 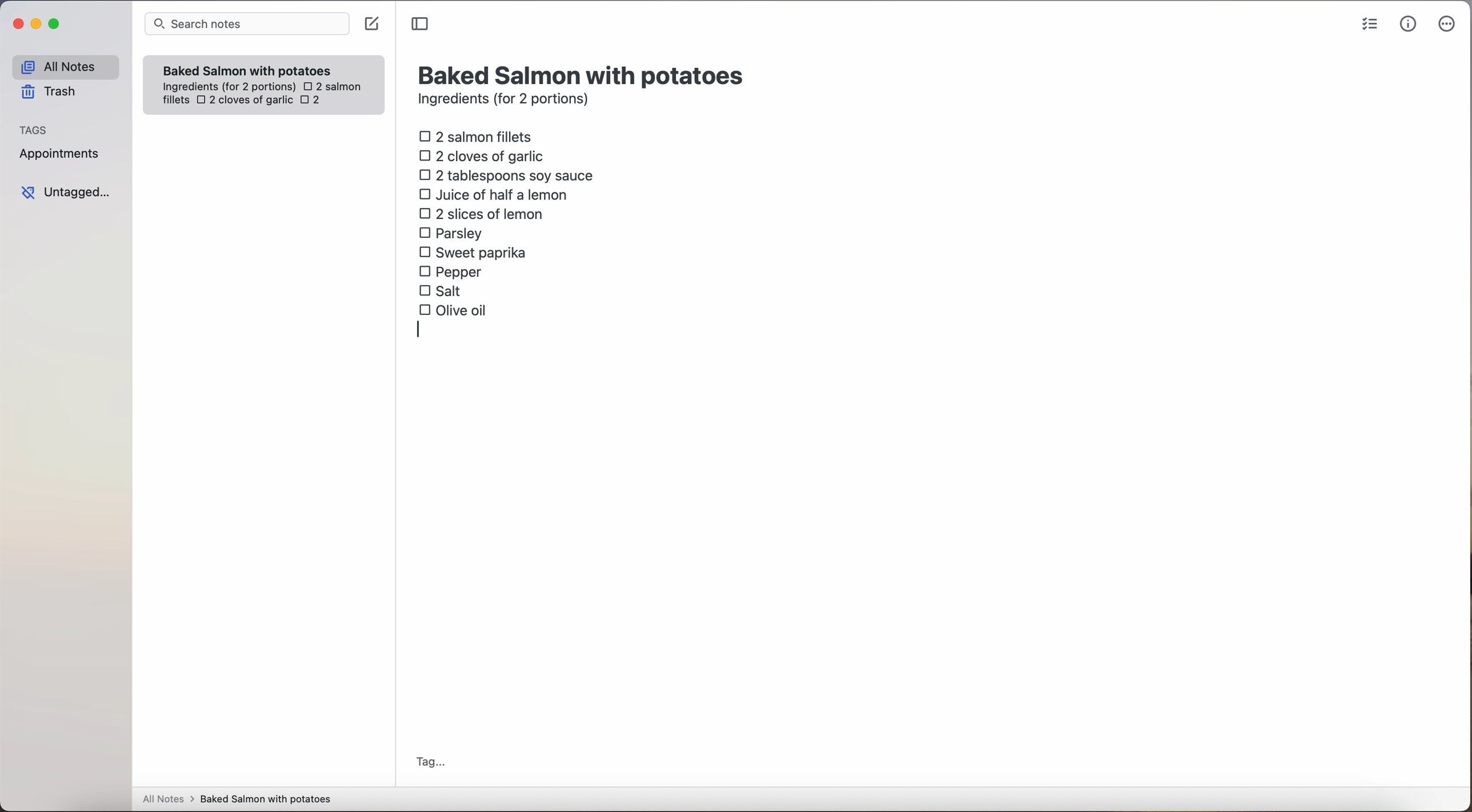 I want to click on trash, so click(x=53, y=92).